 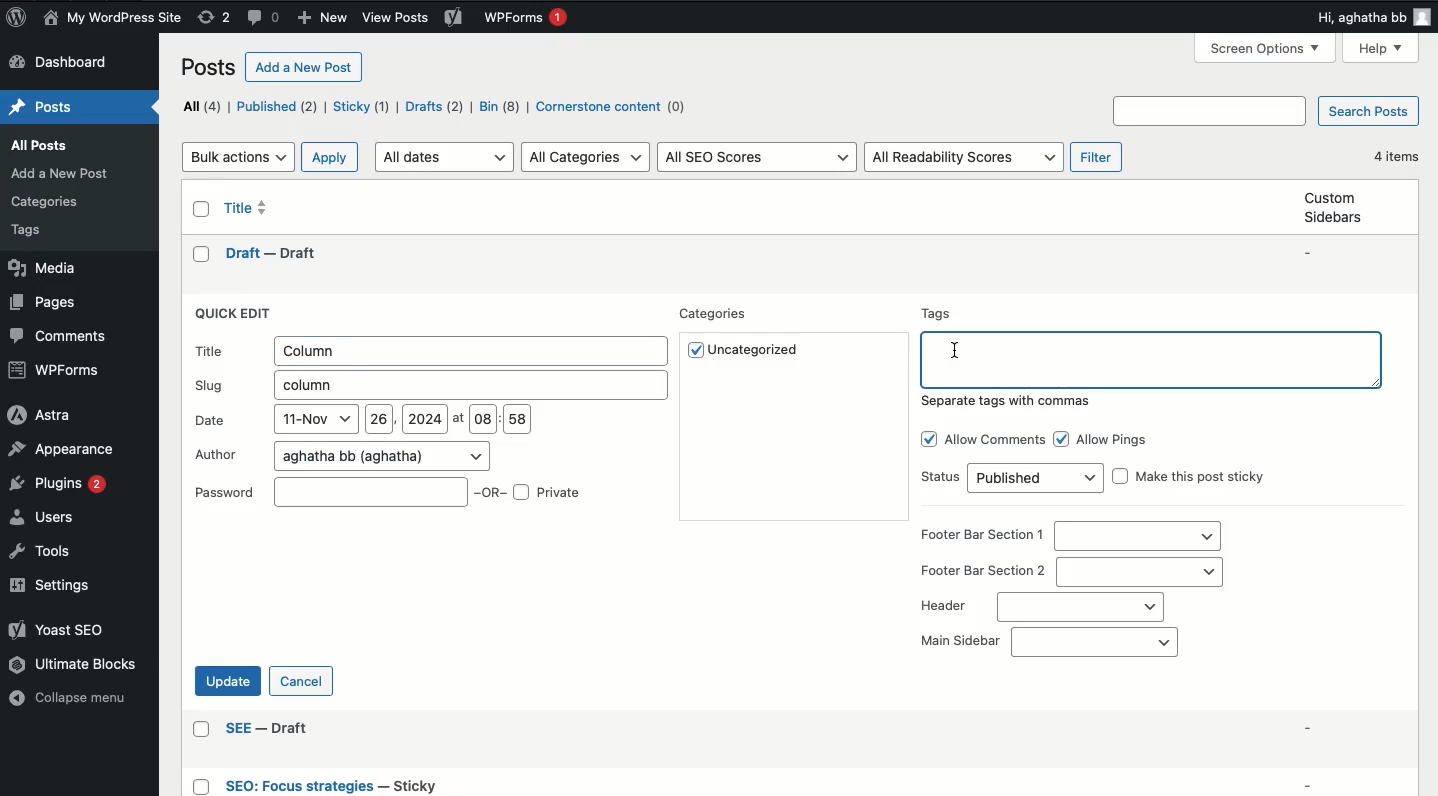 What do you see at coordinates (1380, 49) in the screenshot?
I see `Help` at bounding box center [1380, 49].